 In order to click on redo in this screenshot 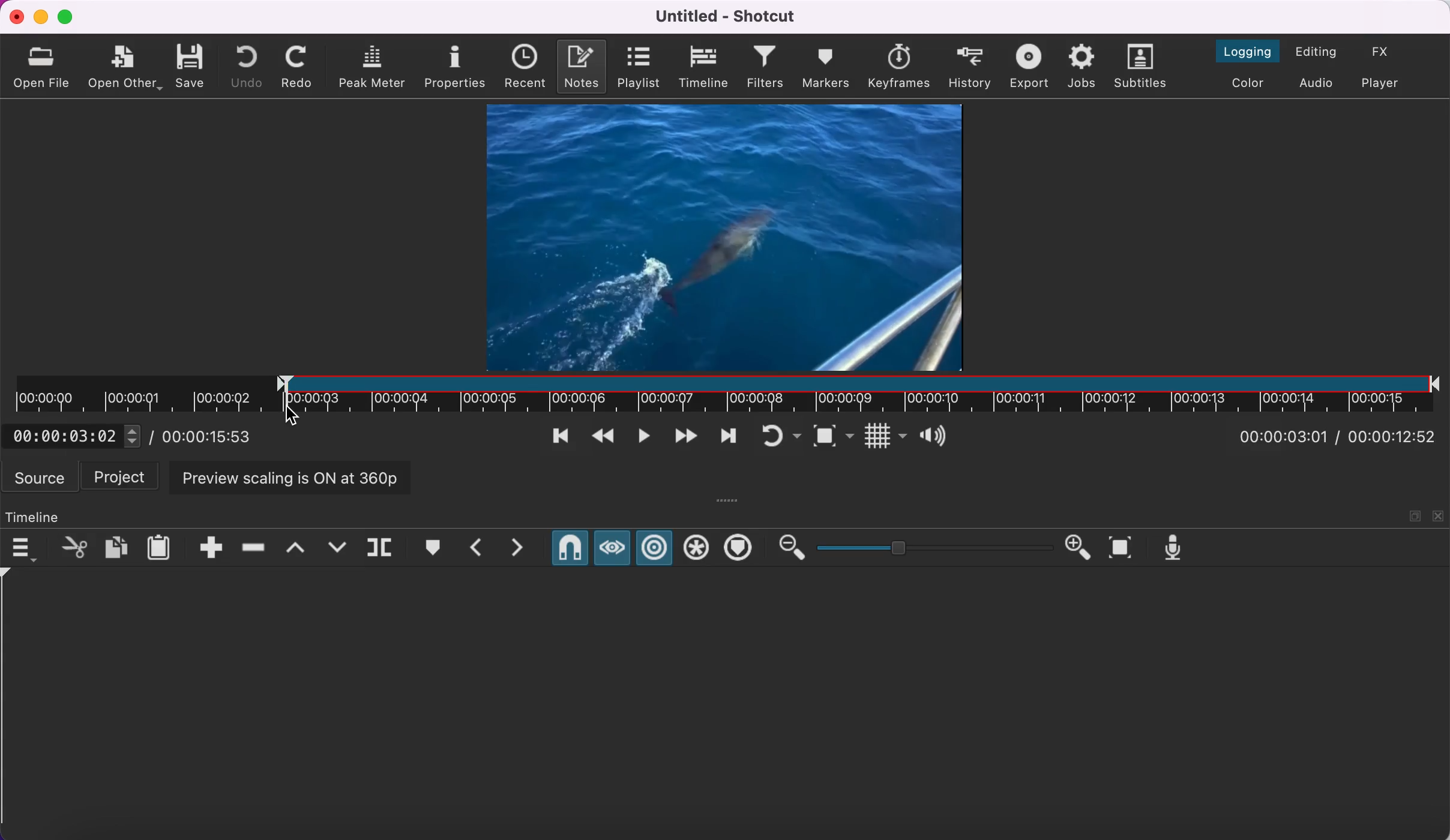, I will do `click(300, 66)`.